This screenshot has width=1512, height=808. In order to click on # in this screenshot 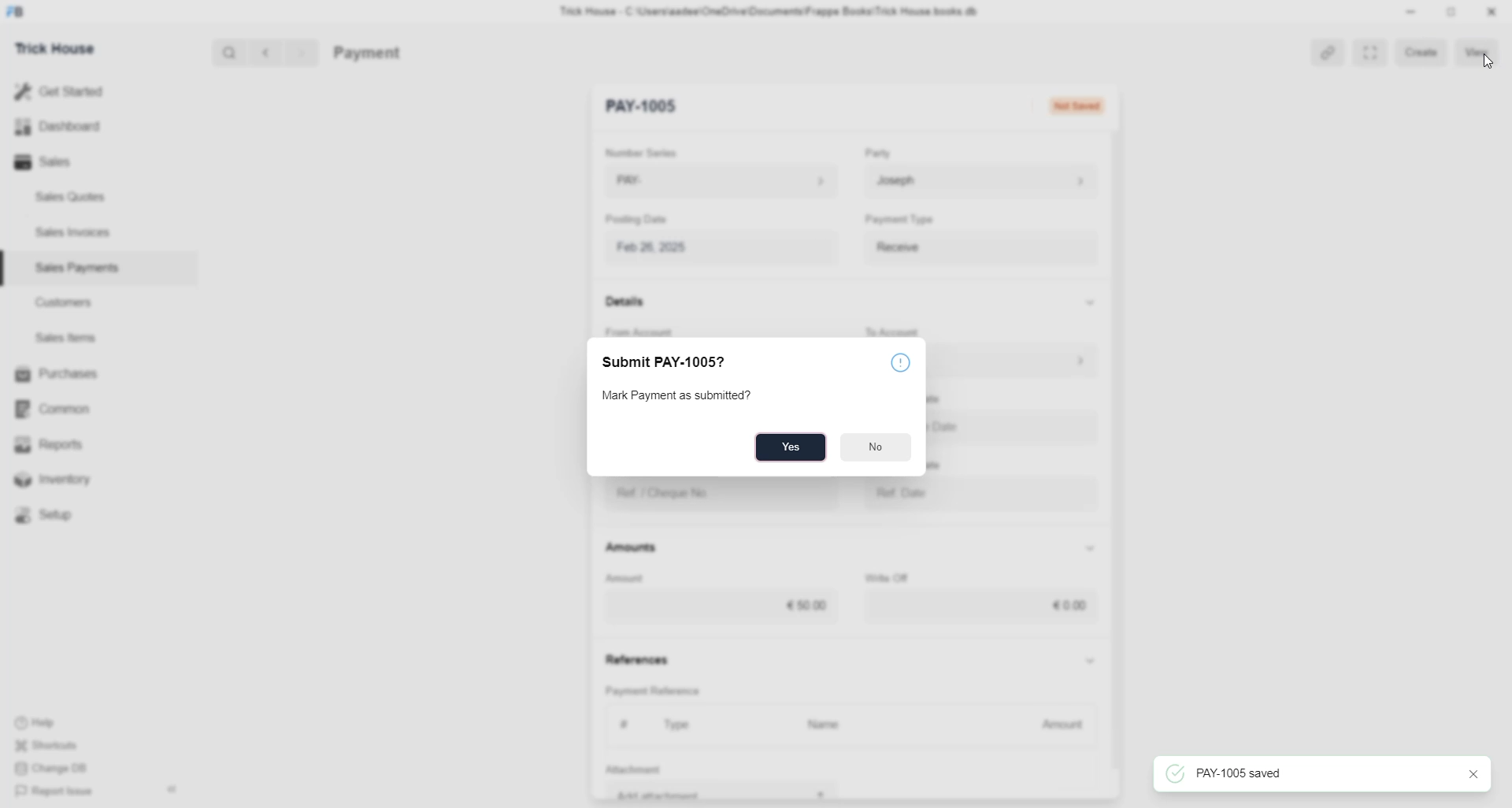, I will do `click(625, 724)`.